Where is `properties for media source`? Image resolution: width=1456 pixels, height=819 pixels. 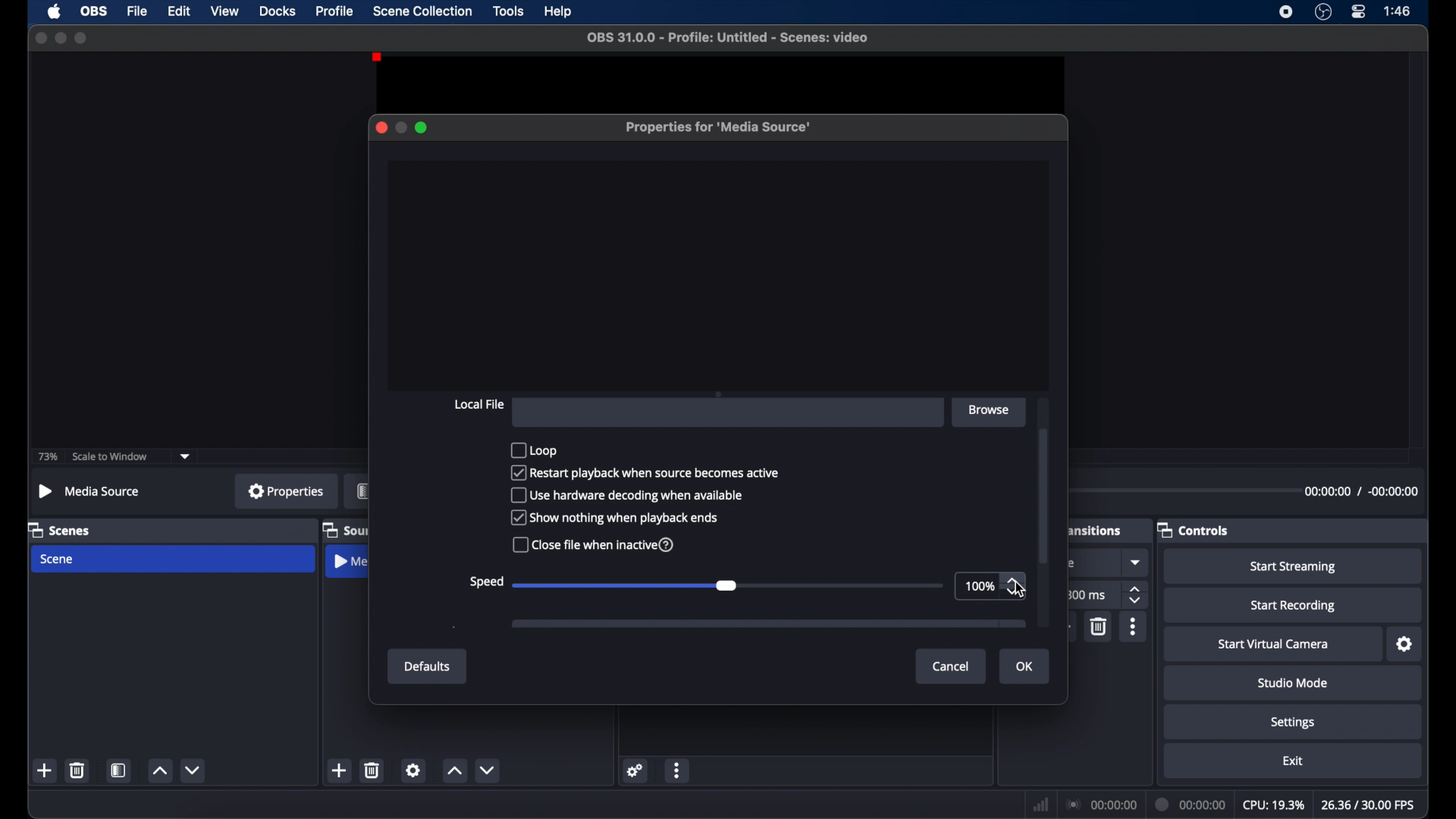
properties for media source is located at coordinates (719, 127).